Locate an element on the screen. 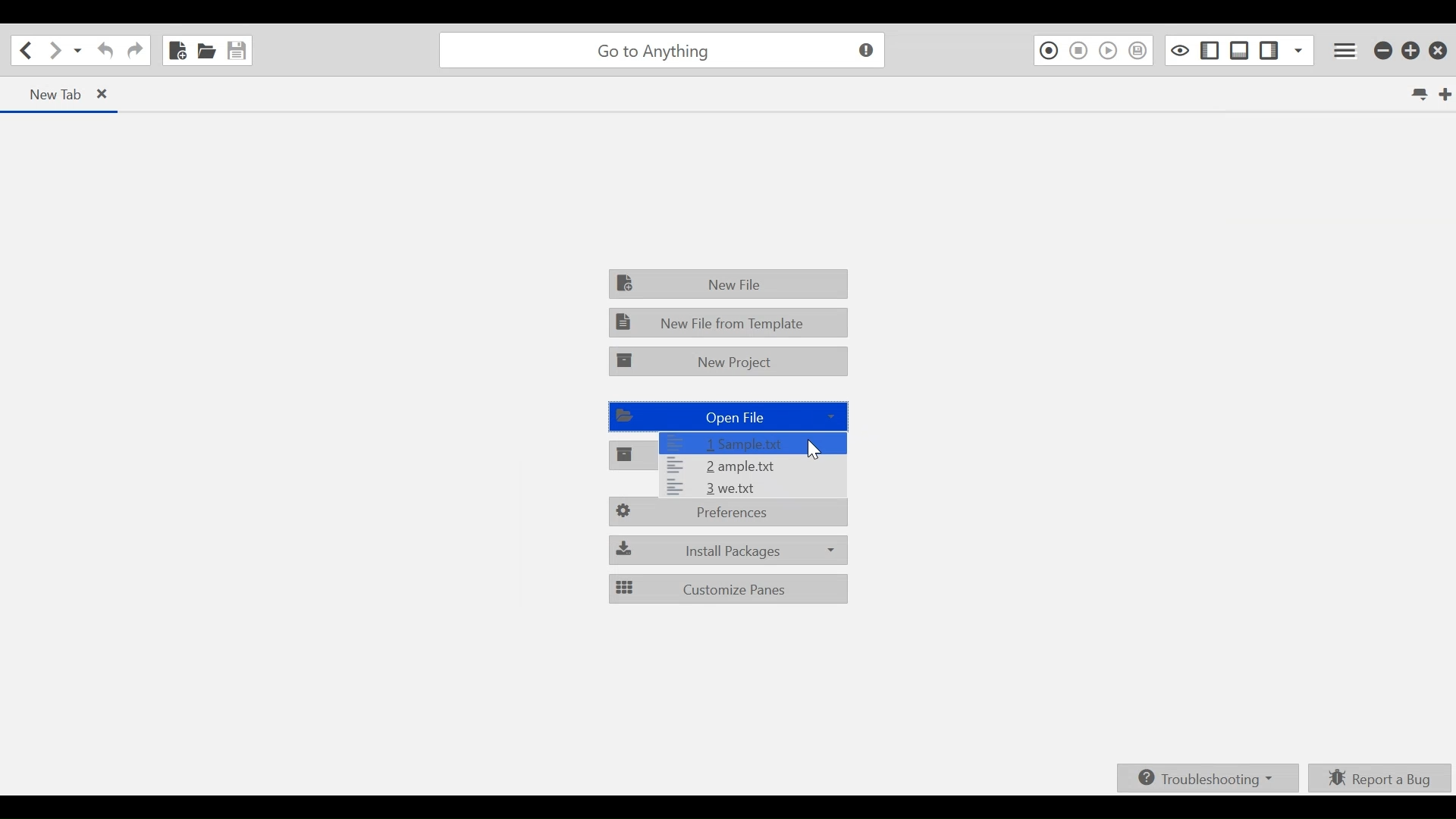 This screenshot has height=819, width=1456. minimize is located at coordinates (1382, 49).